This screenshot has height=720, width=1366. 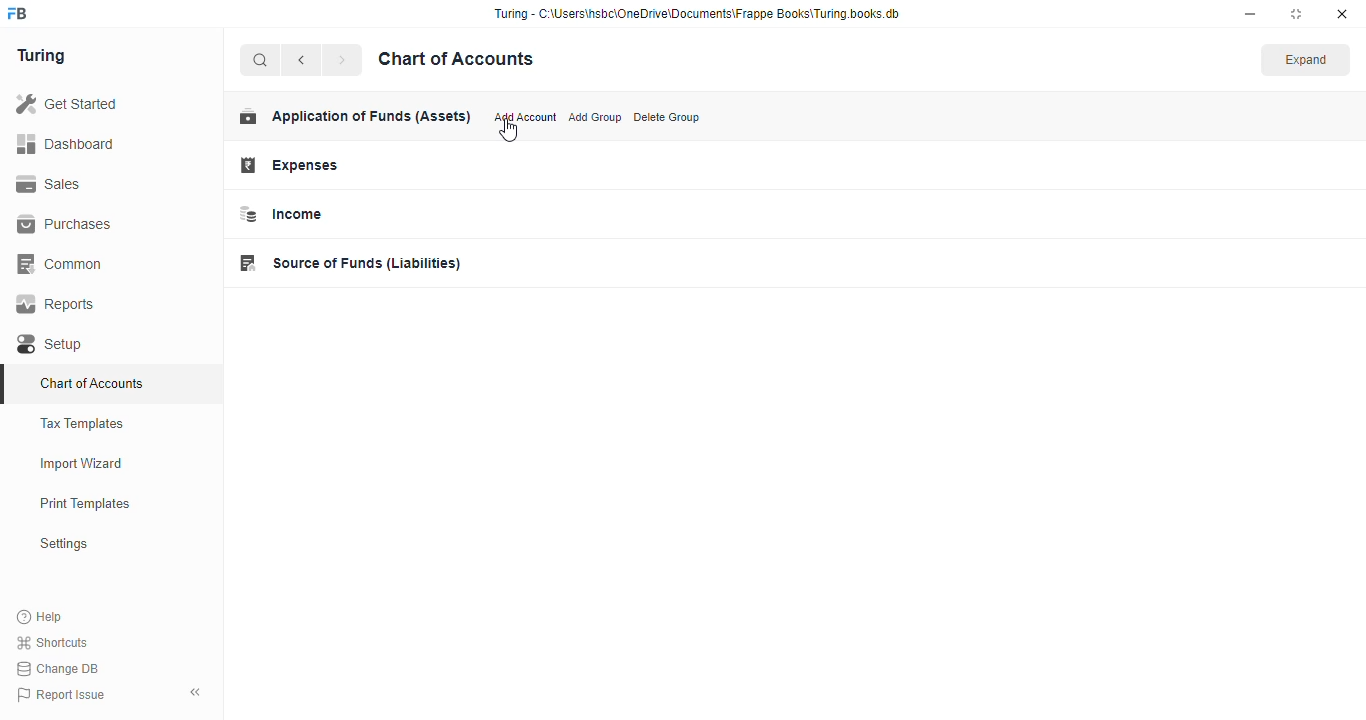 What do you see at coordinates (83, 423) in the screenshot?
I see `tax templates` at bounding box center [83, 423].